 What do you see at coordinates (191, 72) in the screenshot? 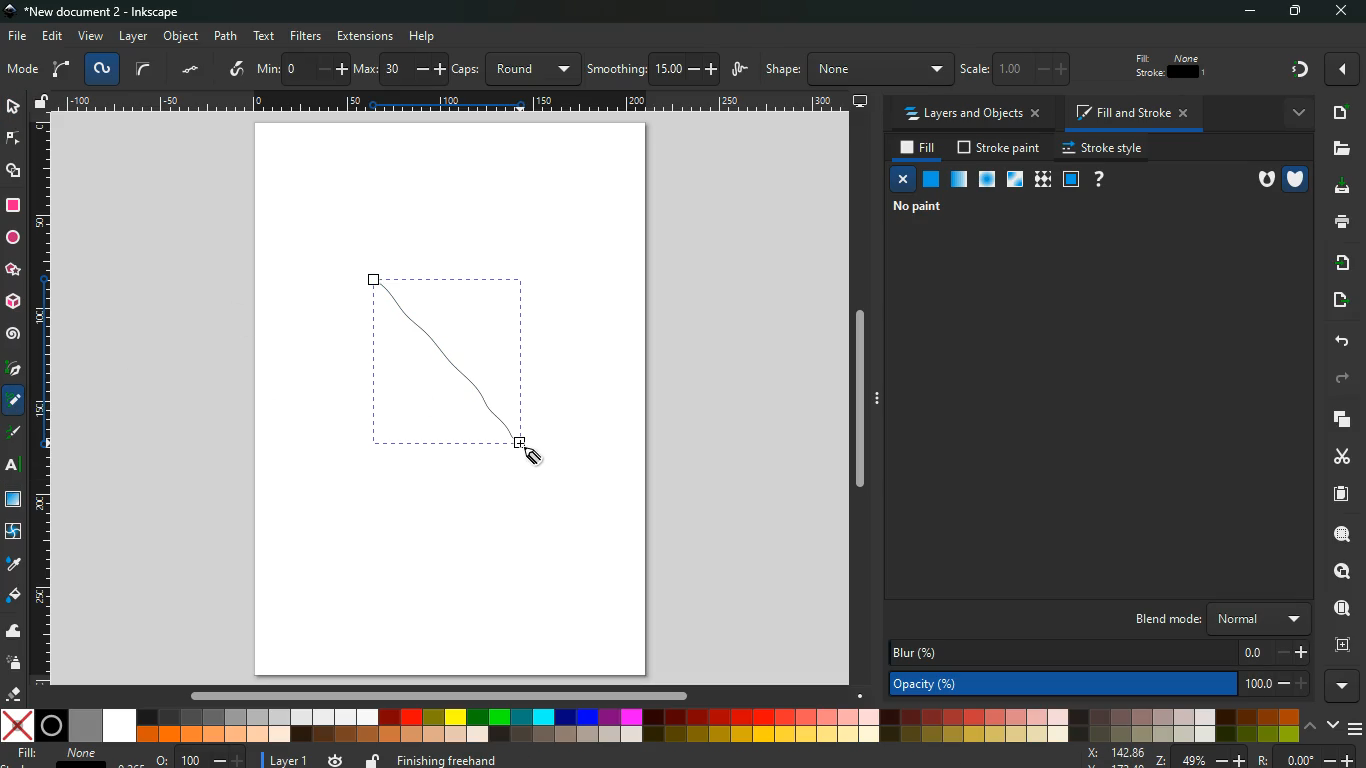
I see `dots` at bounding box center [191, 72].